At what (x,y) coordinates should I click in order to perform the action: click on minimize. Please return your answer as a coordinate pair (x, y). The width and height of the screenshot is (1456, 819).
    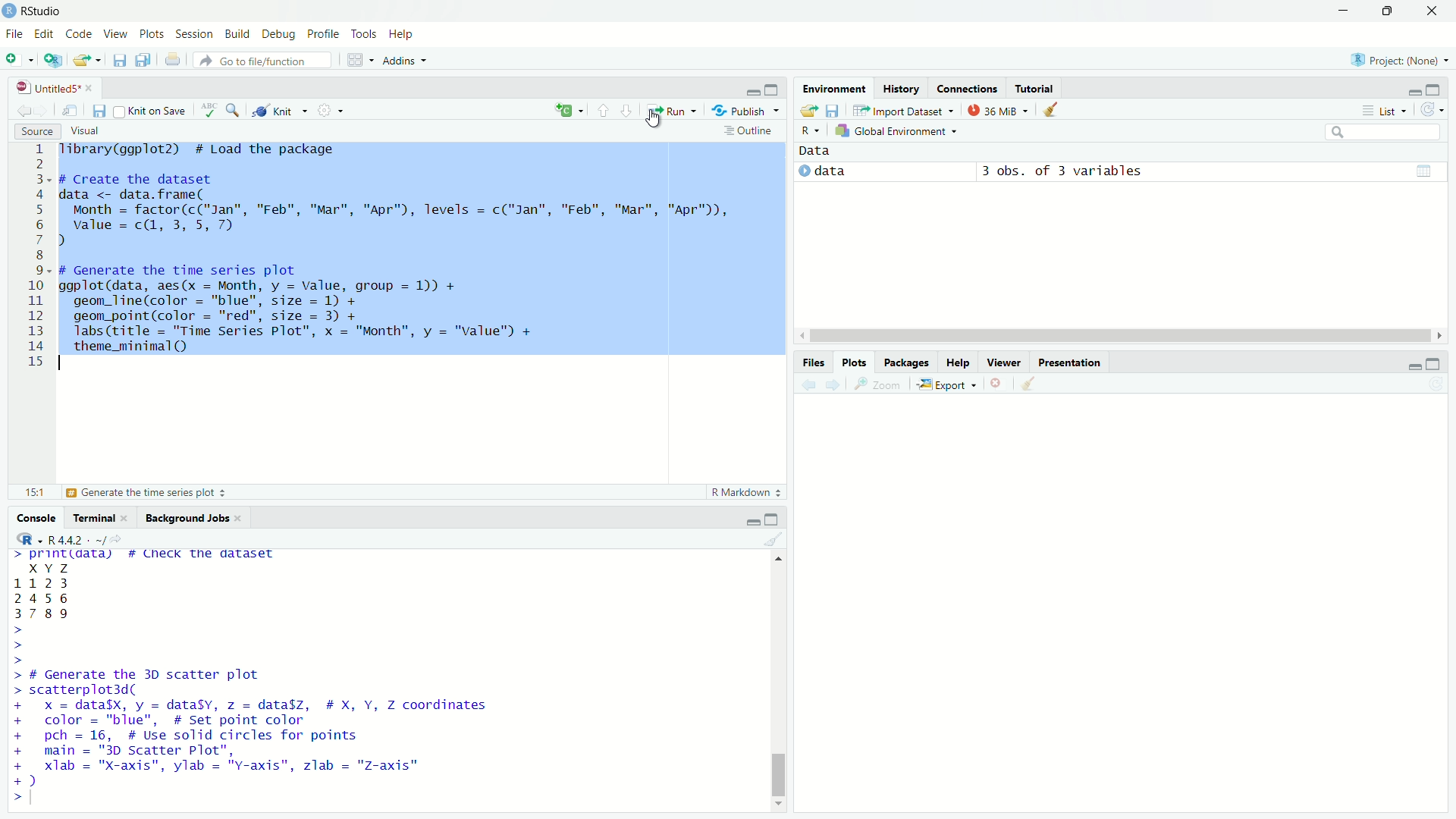
    Looking at the image, I should click on (1345, 10).